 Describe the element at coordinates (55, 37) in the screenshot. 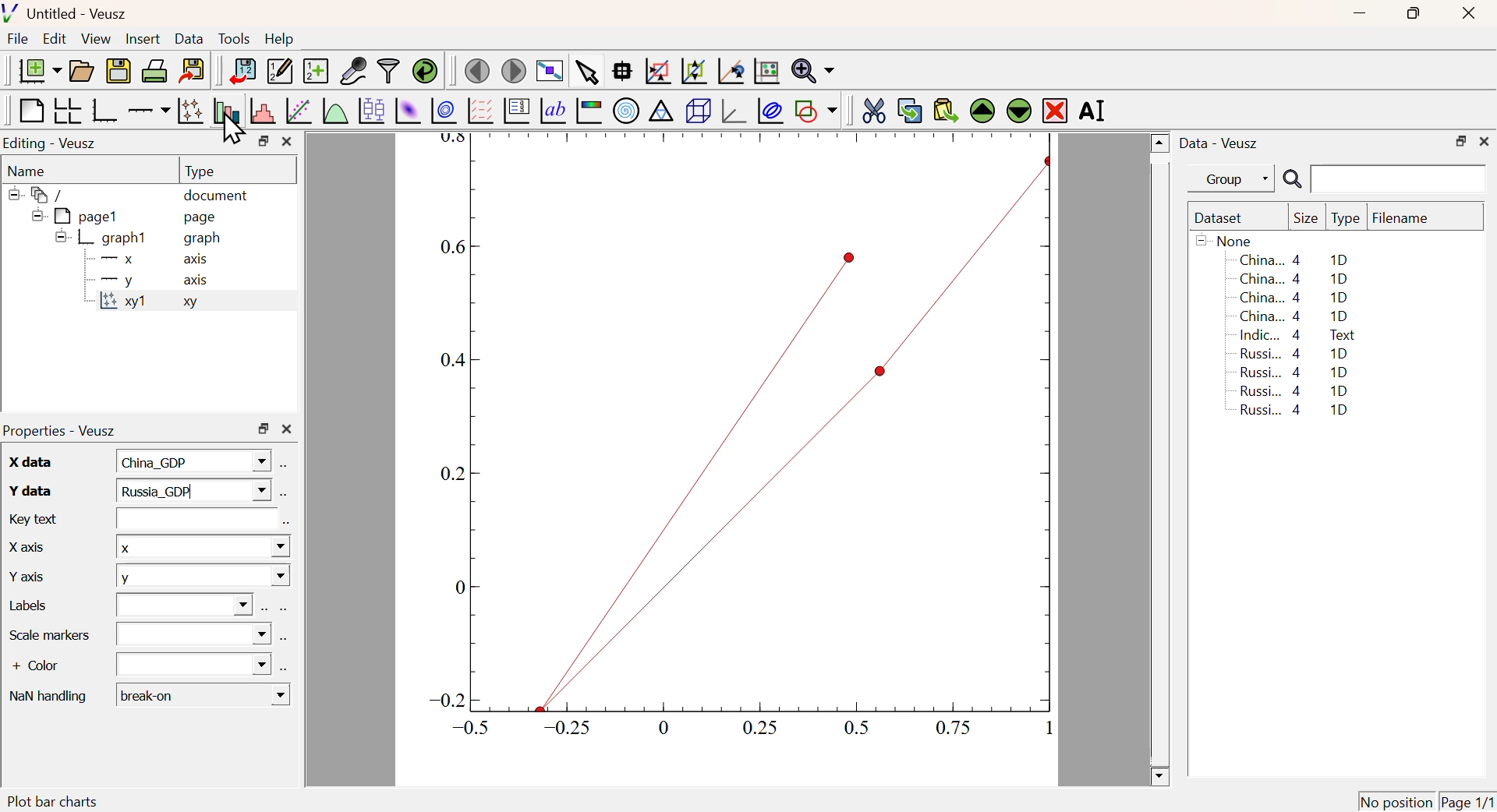

I see `Edit` at that location.